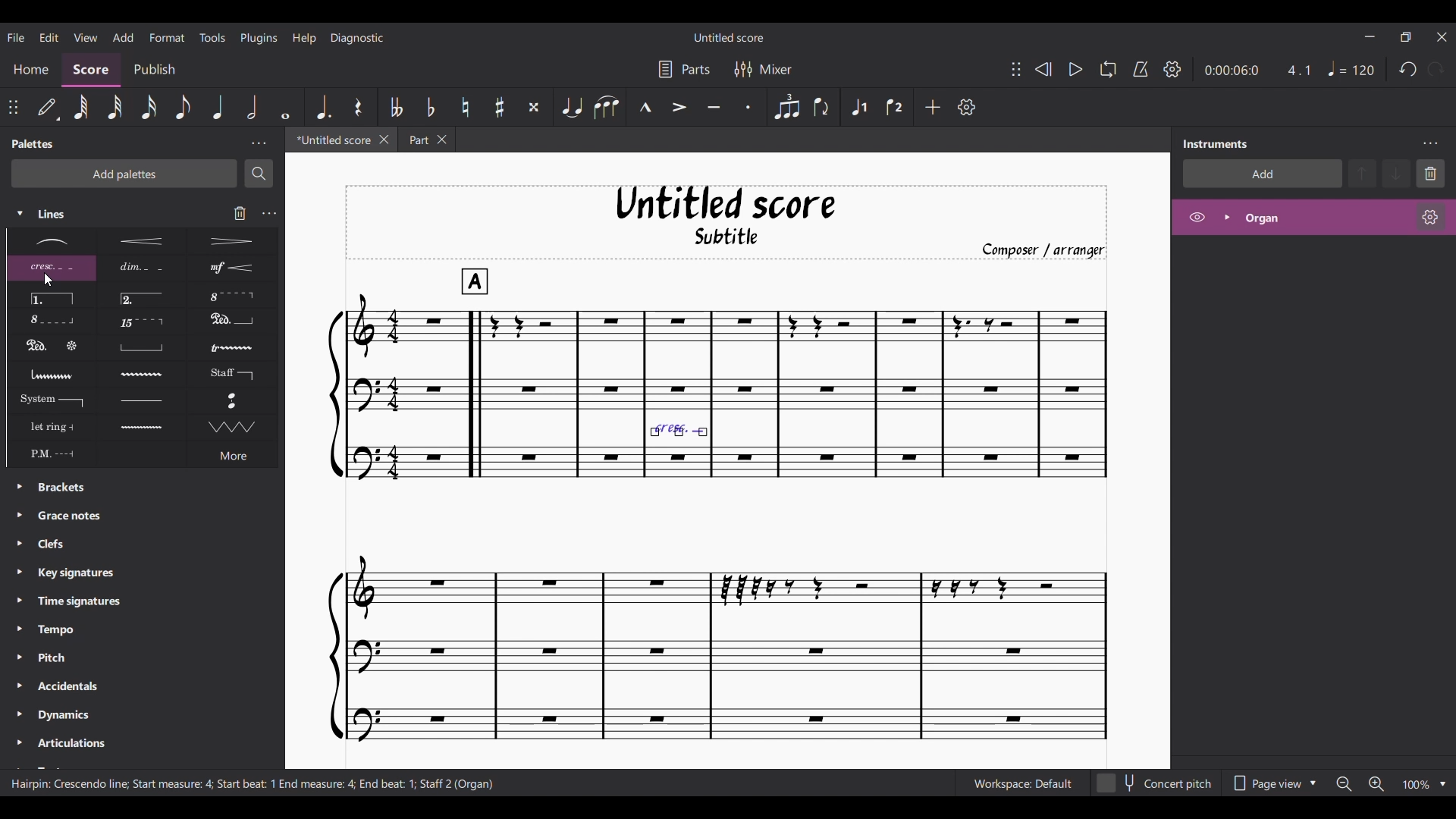 The image size is (1456, 819). What do you see at coordinates (48, 107) in the screenshot?
I see `Default` at bounding box center [48, 107].